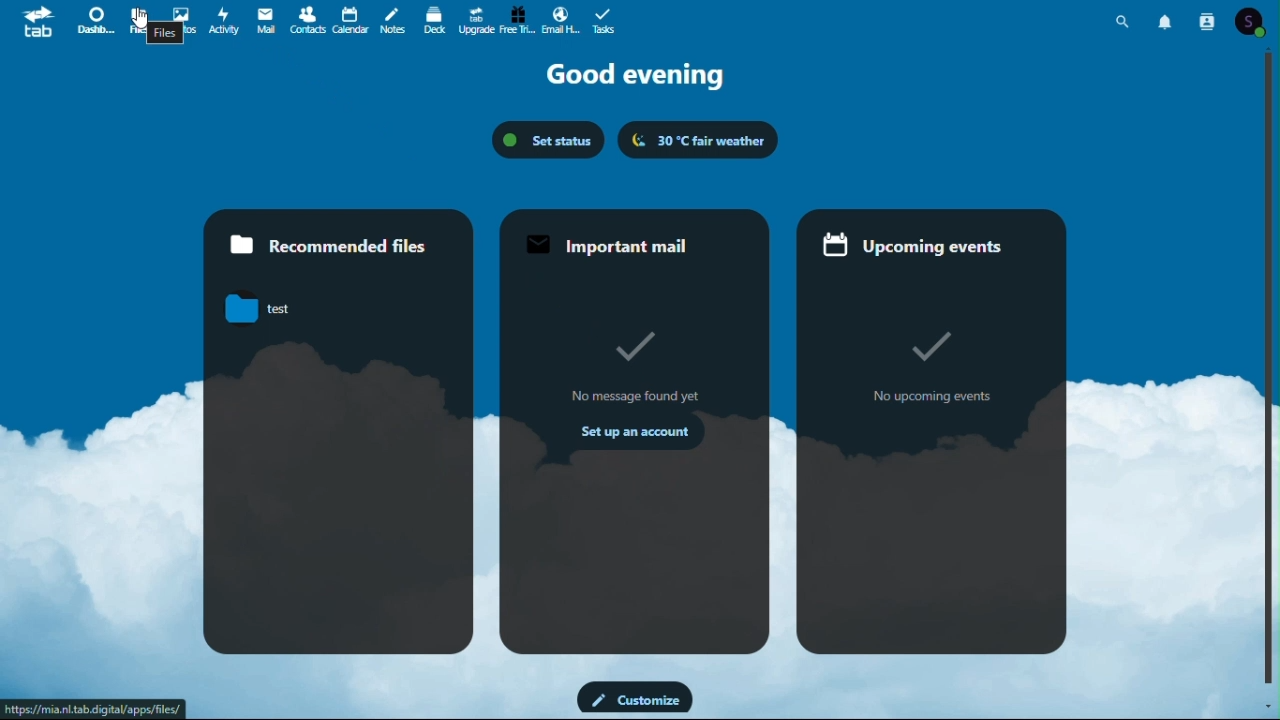  What do you see at coordinates (395, 22) in the screenshot?
I see `Notes ` at bounding box center [395, 22].